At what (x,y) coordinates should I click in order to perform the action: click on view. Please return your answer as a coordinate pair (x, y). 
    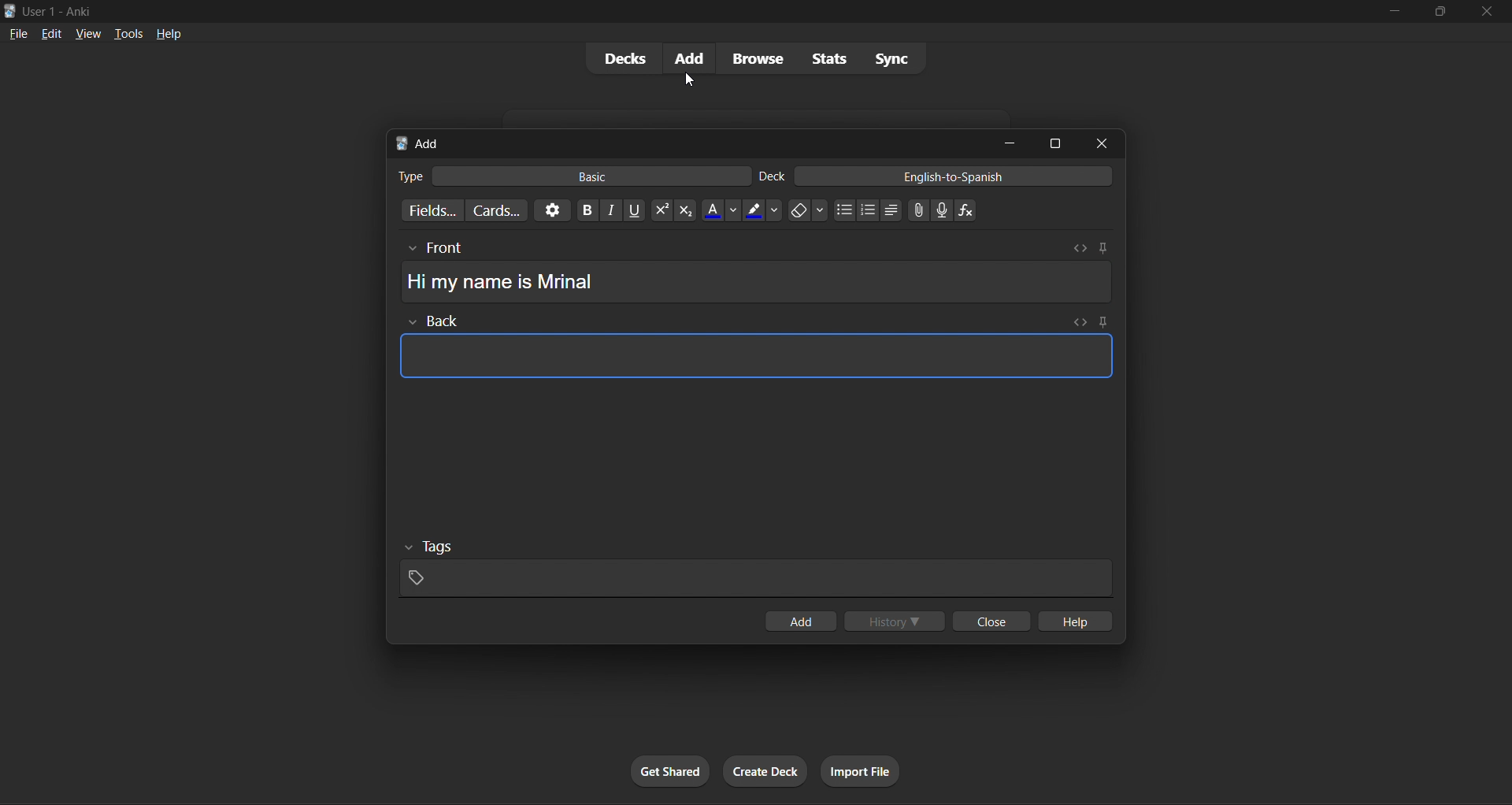
    Looking at the image, I should click on (82, 32).